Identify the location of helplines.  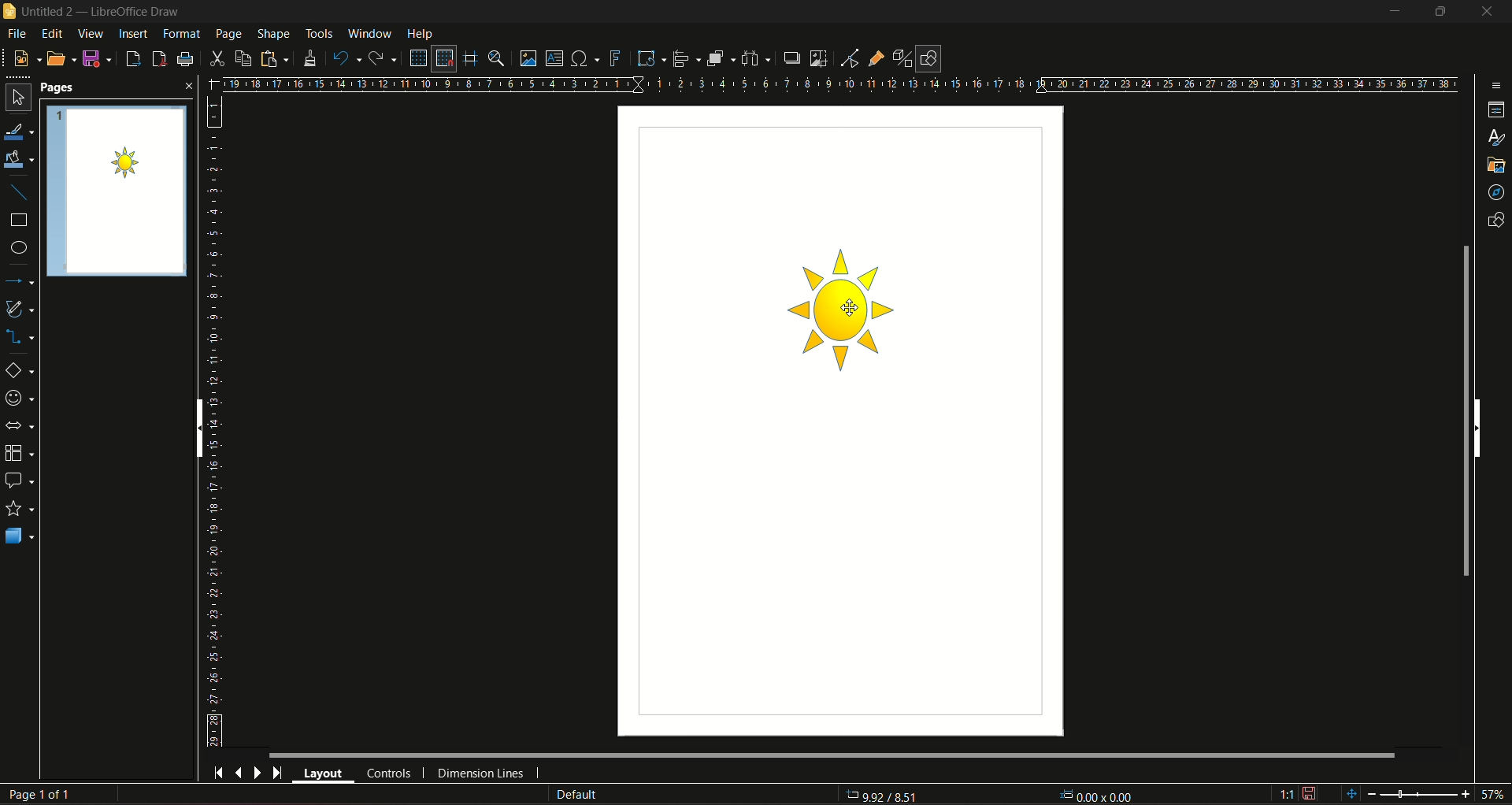
(469, 57).